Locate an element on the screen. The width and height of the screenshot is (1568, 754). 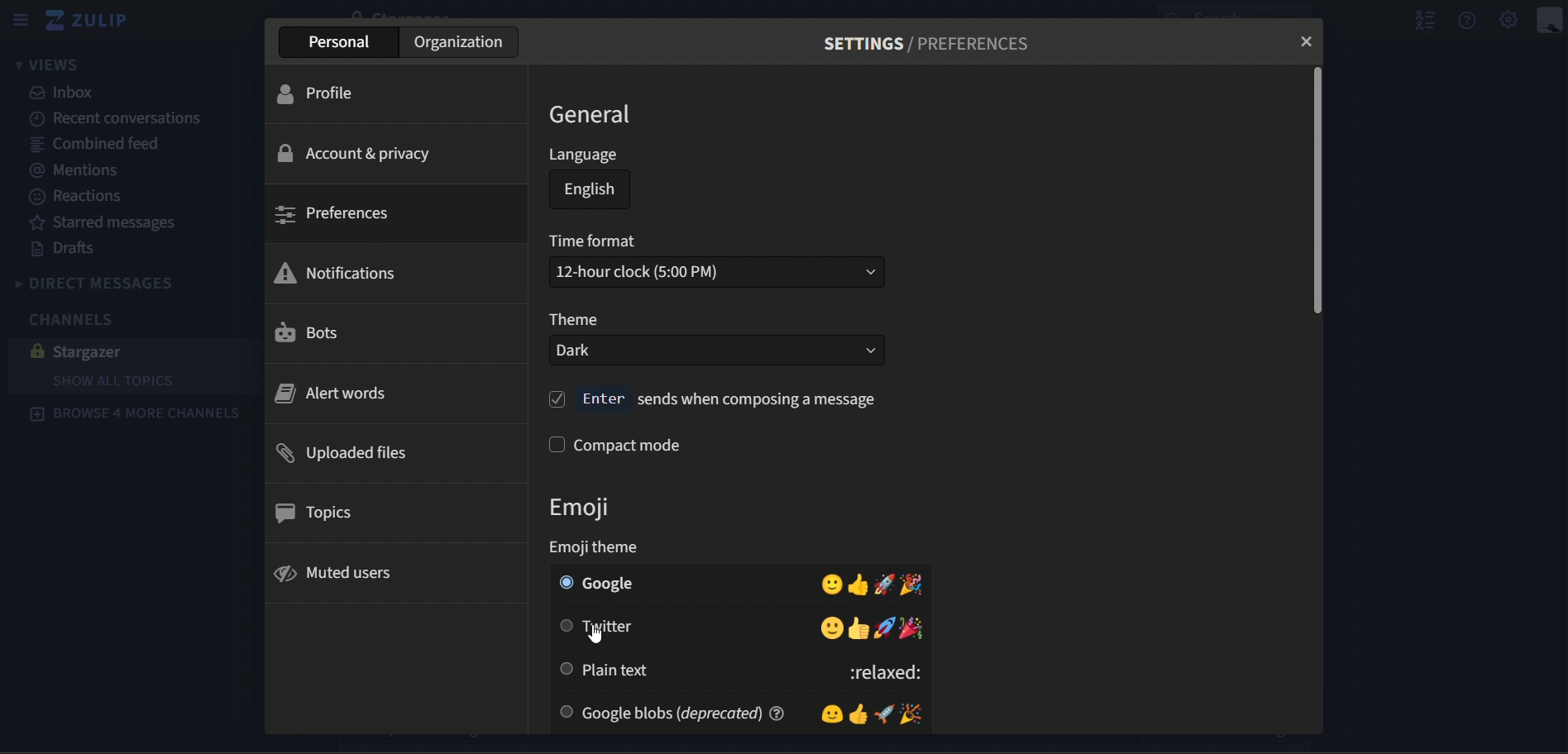
enter sends when composing a message is located at coordinates (716, 399).